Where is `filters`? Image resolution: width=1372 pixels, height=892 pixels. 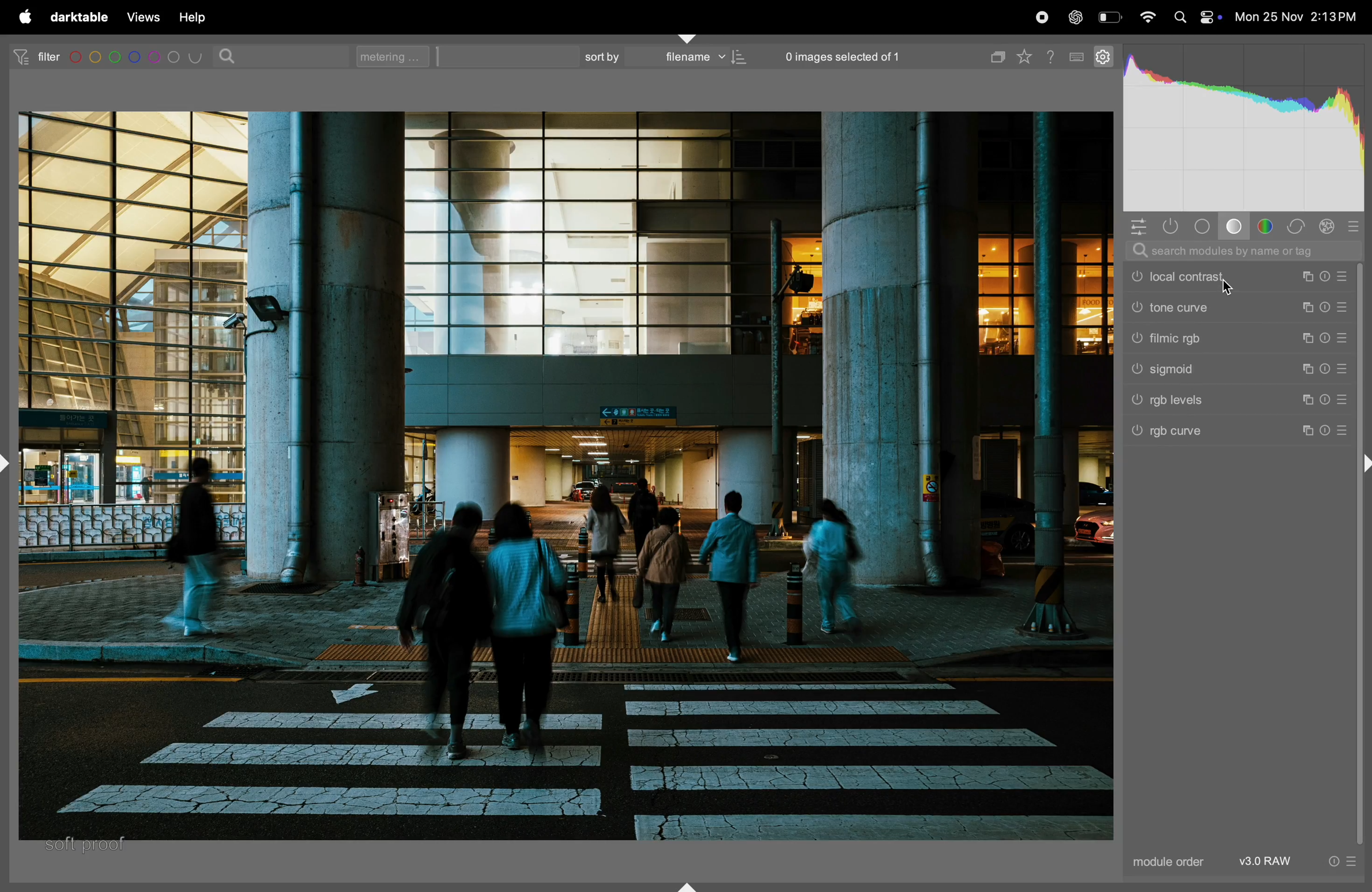
filters is located at coordinates (138, 58).